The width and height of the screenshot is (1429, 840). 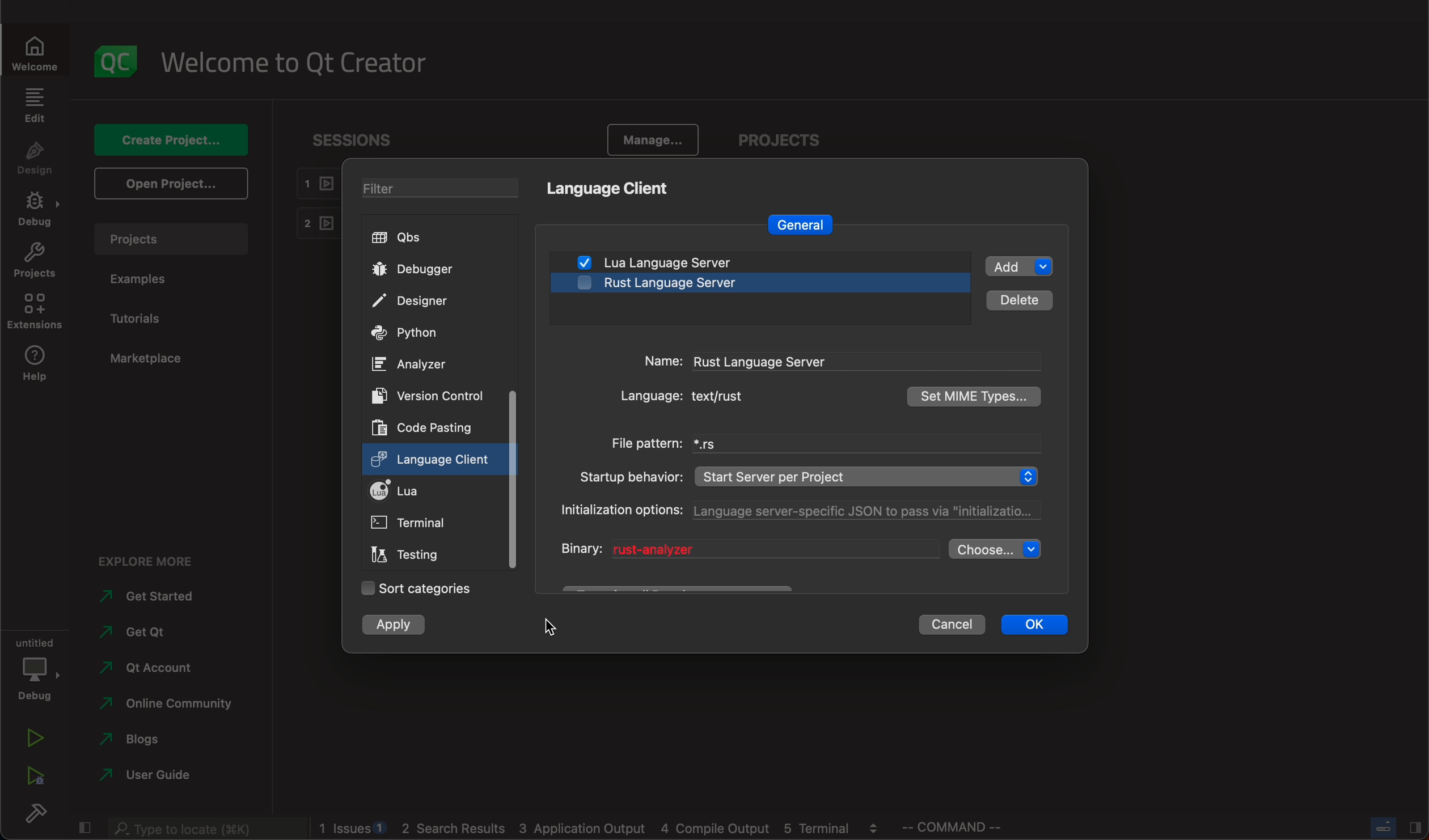 I want to click on command, so click(x=961, y=827).